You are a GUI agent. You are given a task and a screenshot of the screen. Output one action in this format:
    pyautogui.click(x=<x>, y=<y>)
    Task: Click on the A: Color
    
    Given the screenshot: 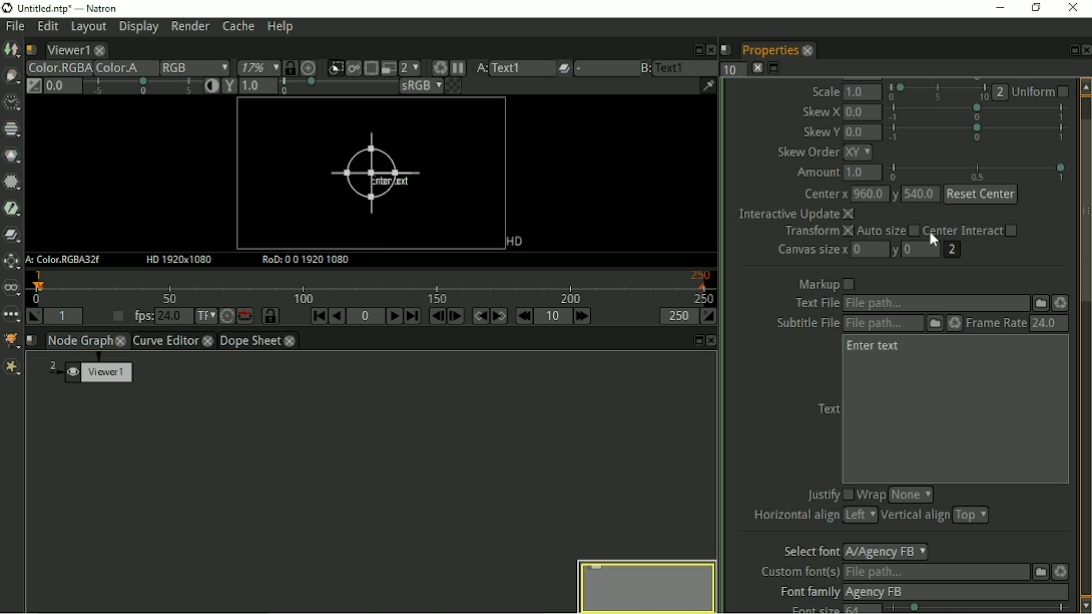 What is the action you would take?
    pyautogui.click(x=65, y=260)
    